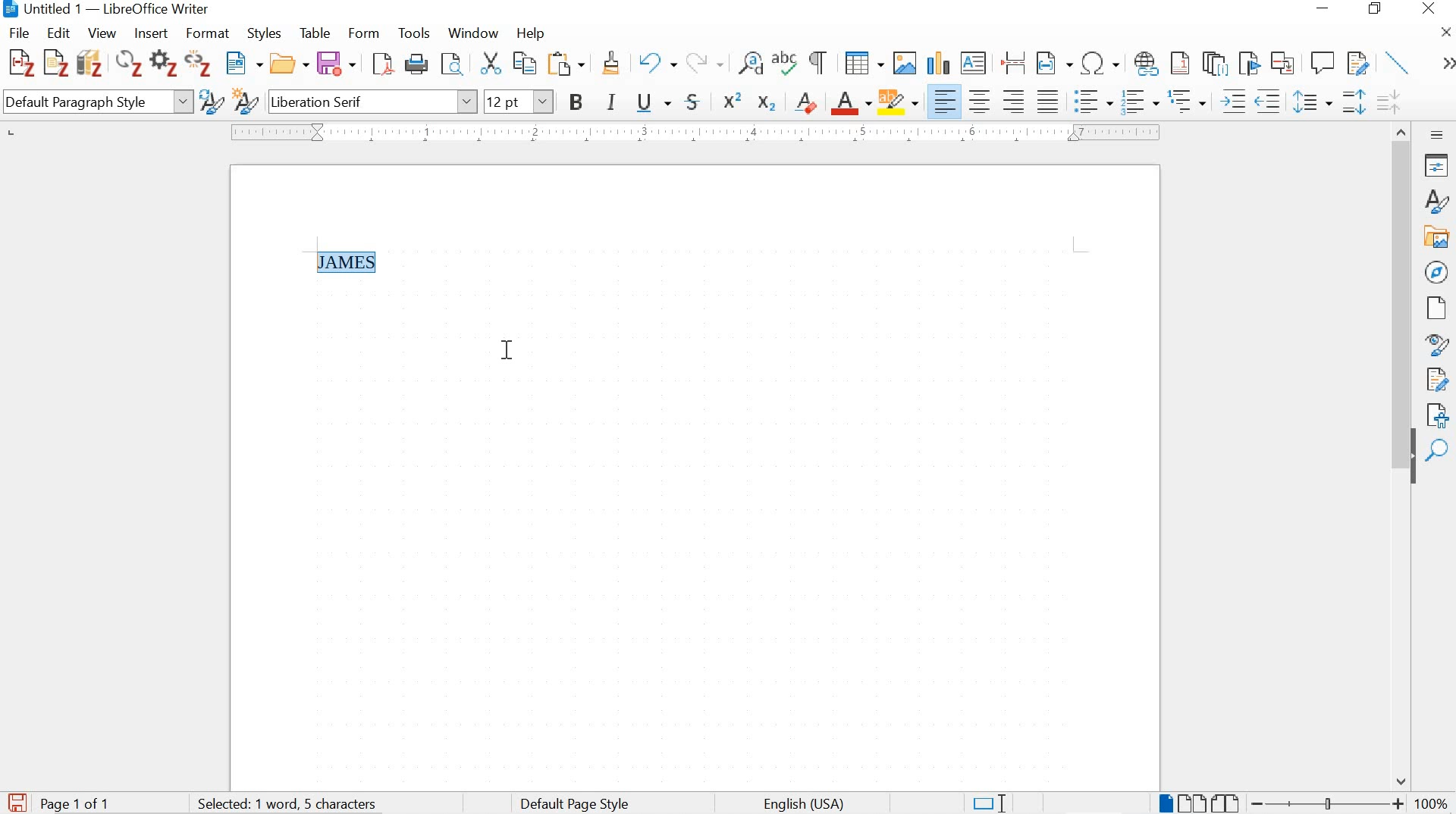 This screenshot has height=814, width=1456. I want to click on insert table, so click(864, 64).